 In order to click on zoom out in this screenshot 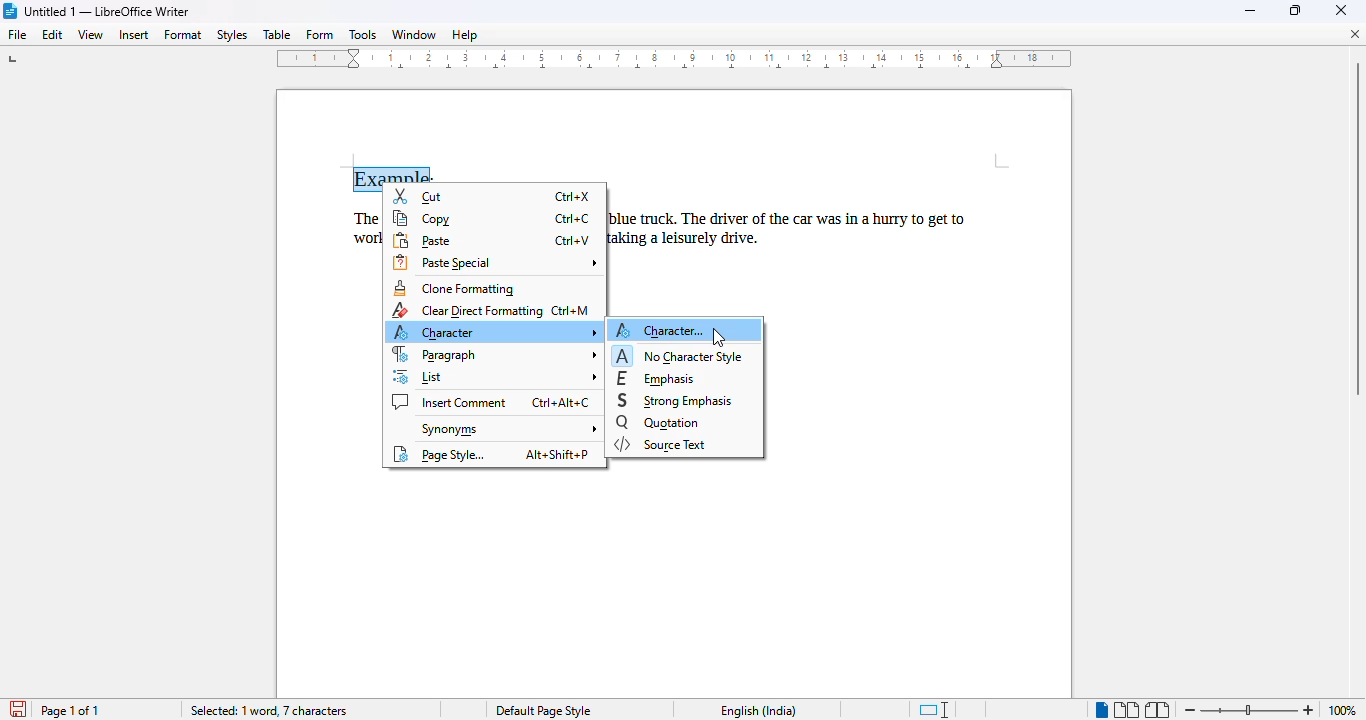, I will do `click(1190, 710)`.